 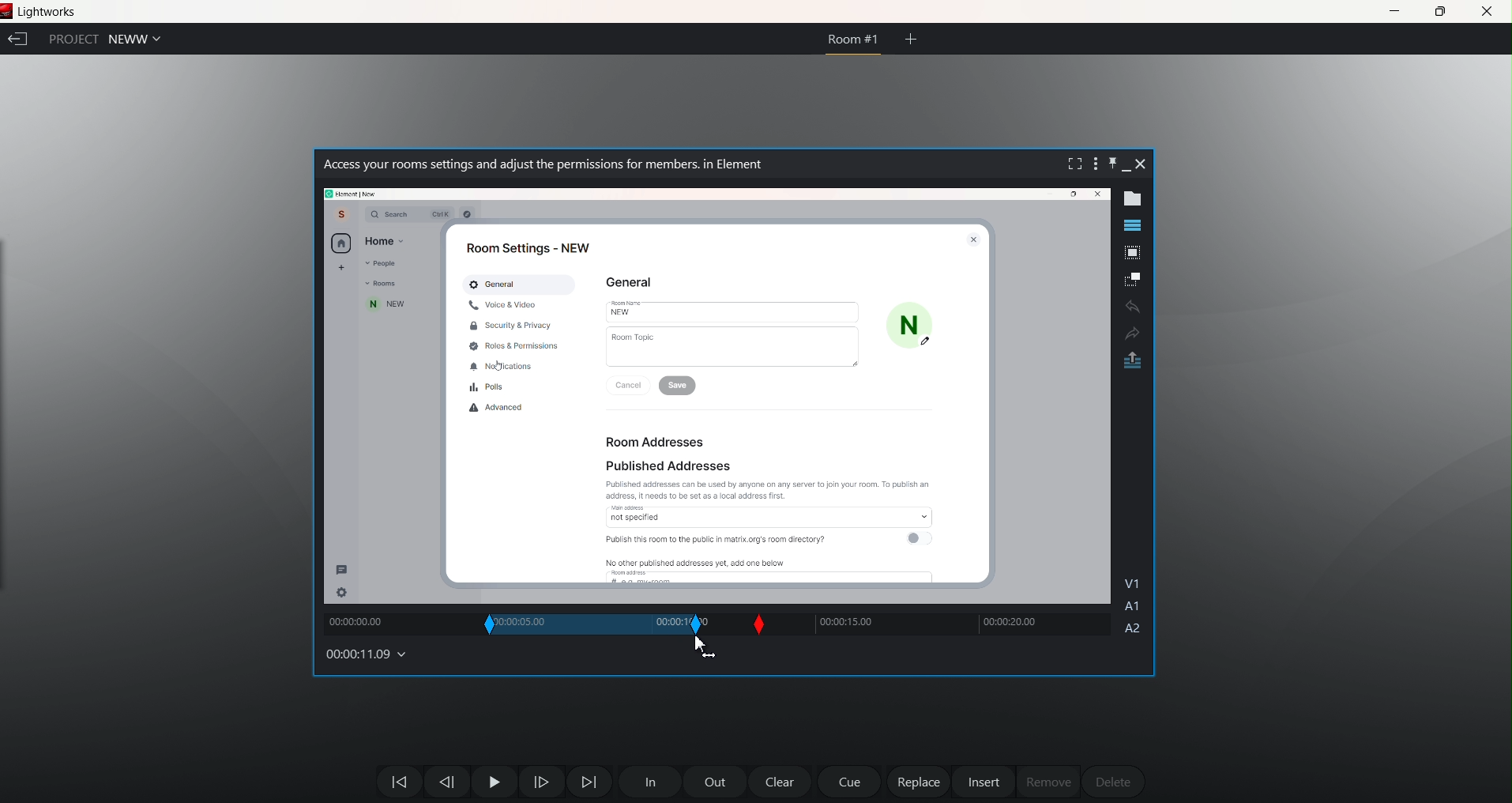 I want to click on maximize, so click(x=1439, y=11).